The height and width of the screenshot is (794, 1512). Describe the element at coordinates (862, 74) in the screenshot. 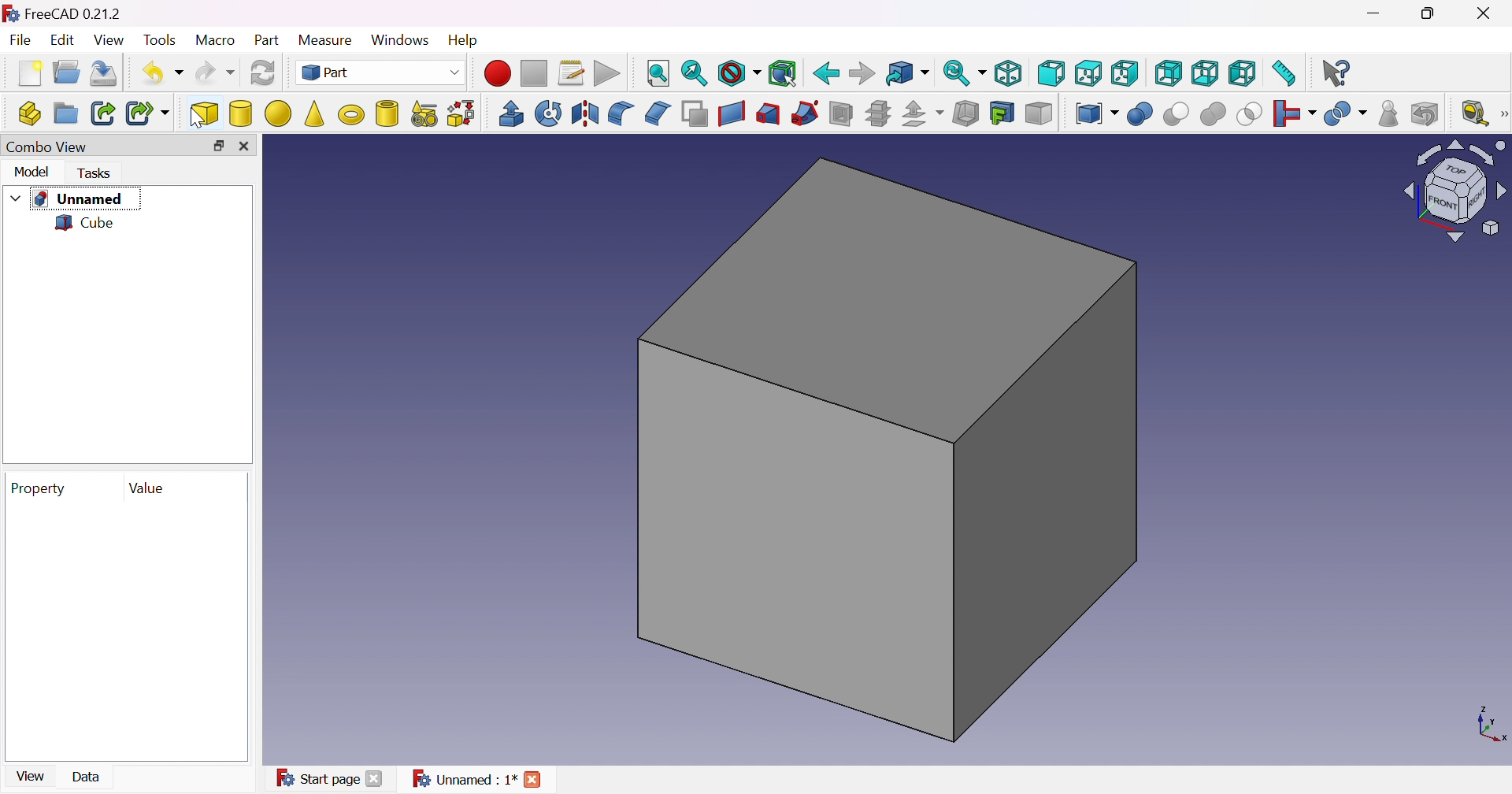

I see `Forward` at that location.